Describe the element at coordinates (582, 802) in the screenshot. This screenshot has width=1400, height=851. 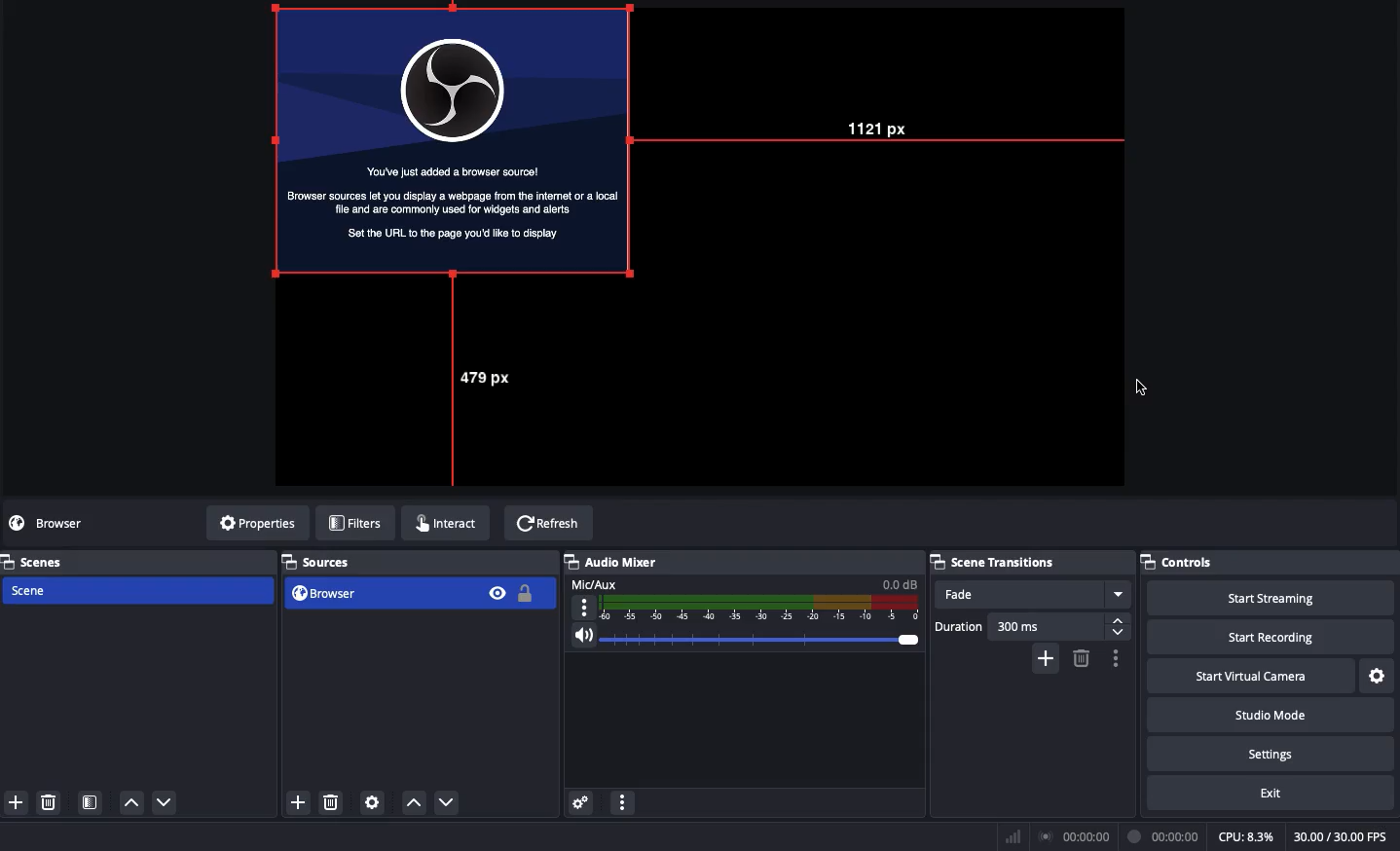
I see `Settings` at that location.